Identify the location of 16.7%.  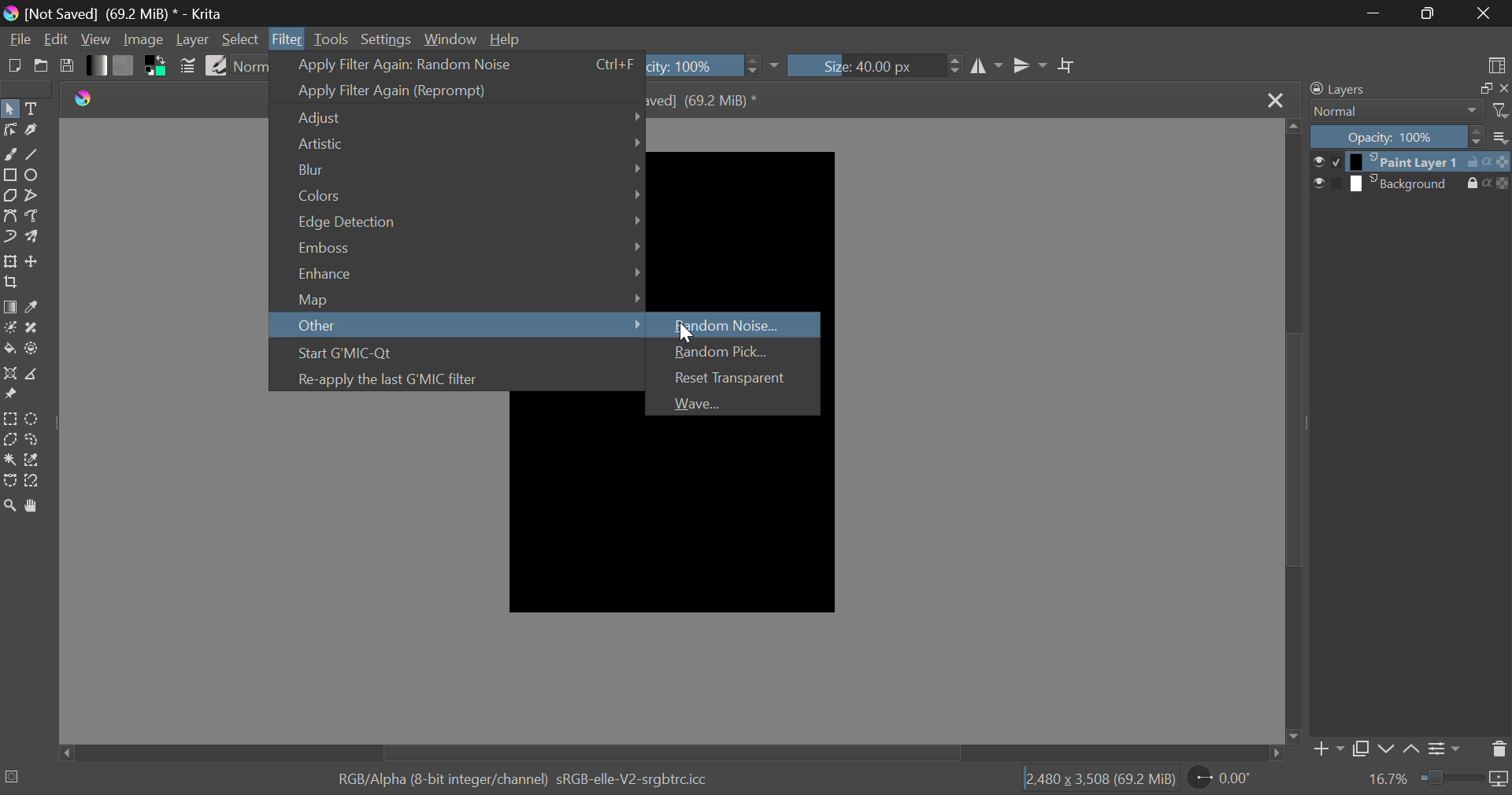
(1391, 780).